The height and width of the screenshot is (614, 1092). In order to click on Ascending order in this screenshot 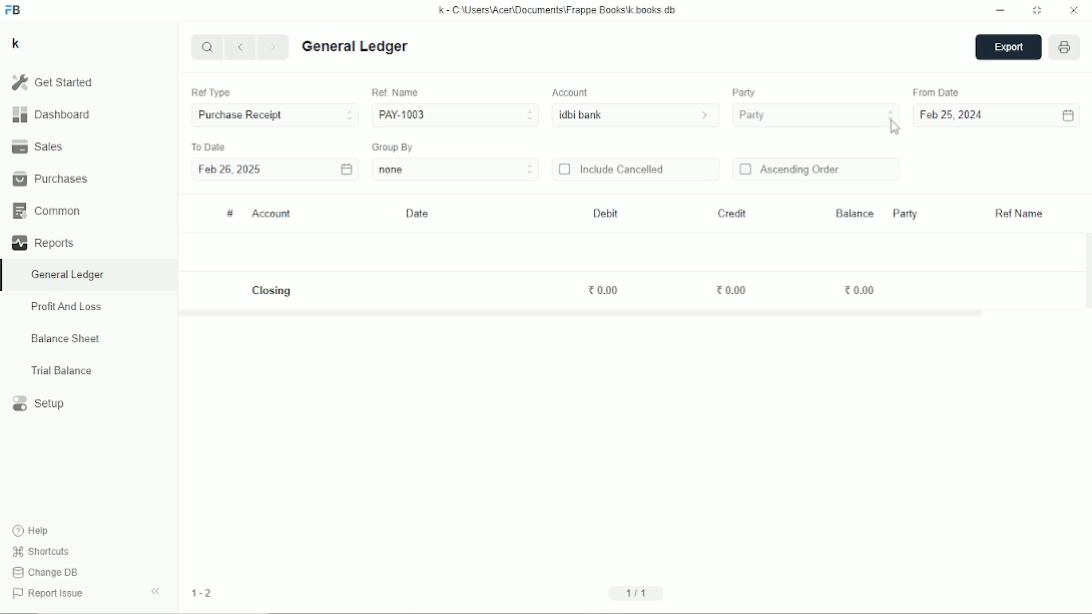, I will do `click(790, 170)`.